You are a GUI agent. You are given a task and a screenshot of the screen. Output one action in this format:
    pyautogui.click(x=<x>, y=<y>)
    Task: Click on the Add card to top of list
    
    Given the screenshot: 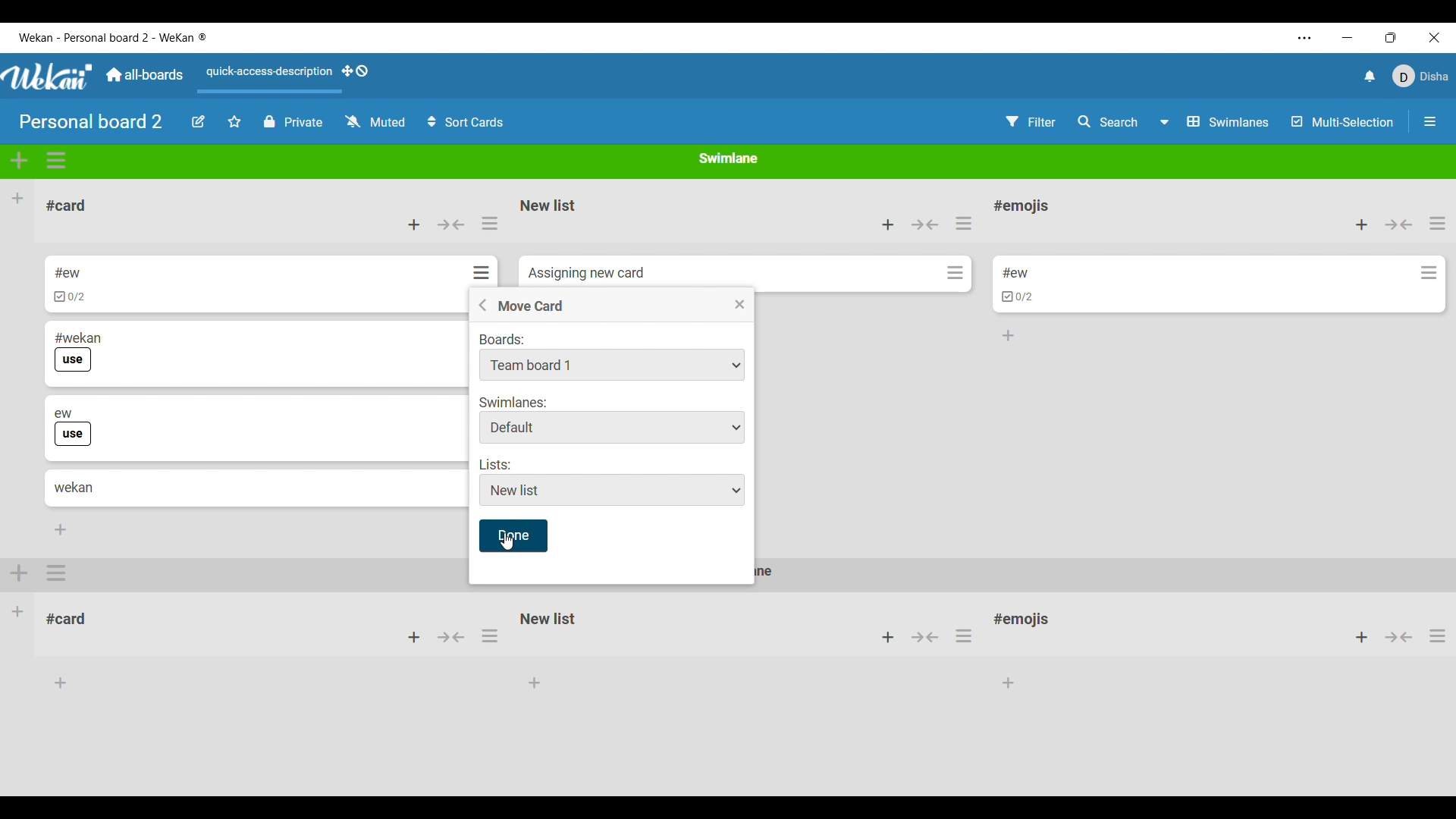 What is the action you would take?
    pyautogui.click(x=414, y=224)
    